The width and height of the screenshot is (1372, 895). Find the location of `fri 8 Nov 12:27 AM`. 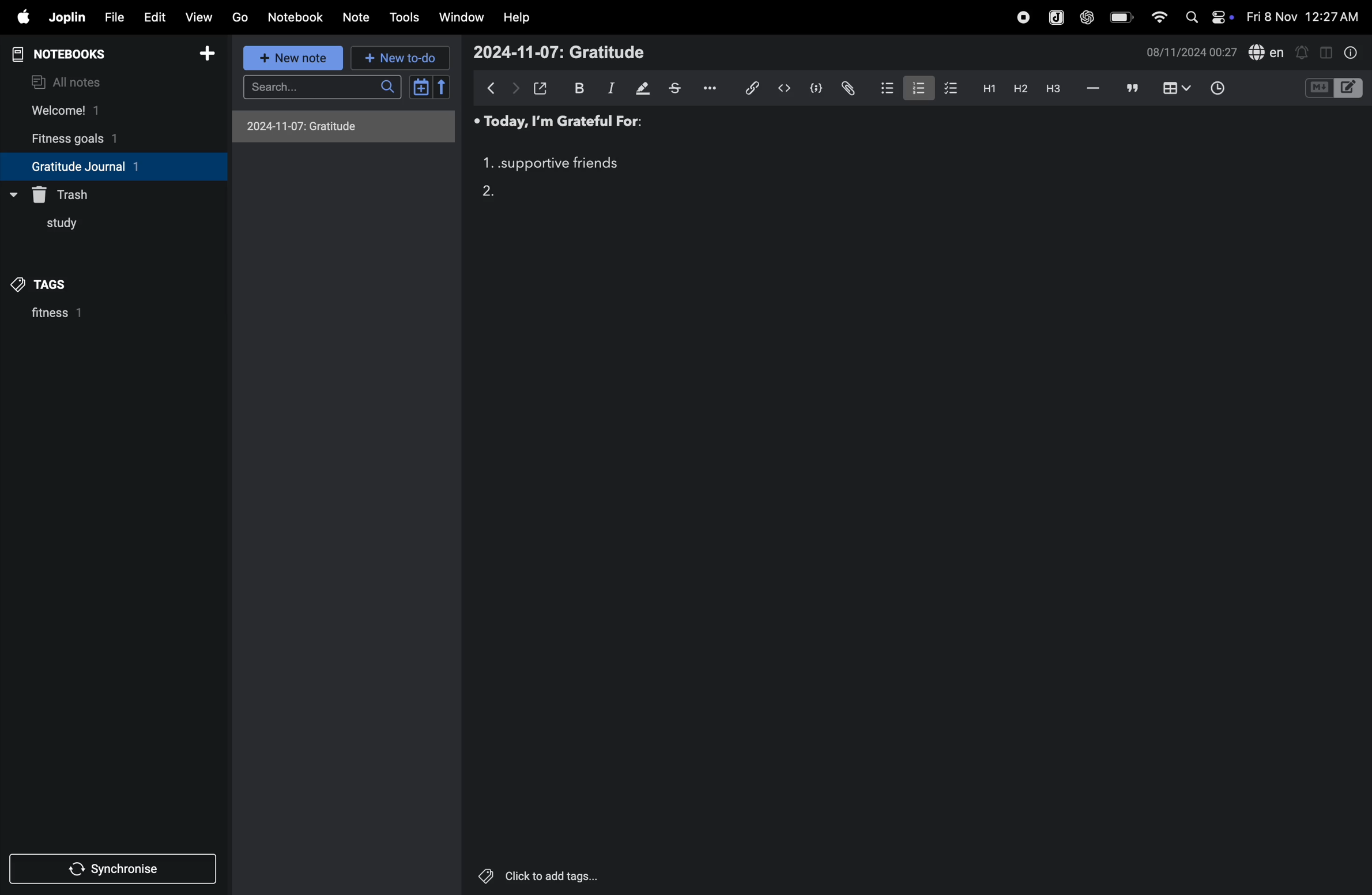

fri 8 Nov 12:27 AM is located at coordinates (1302, 17).